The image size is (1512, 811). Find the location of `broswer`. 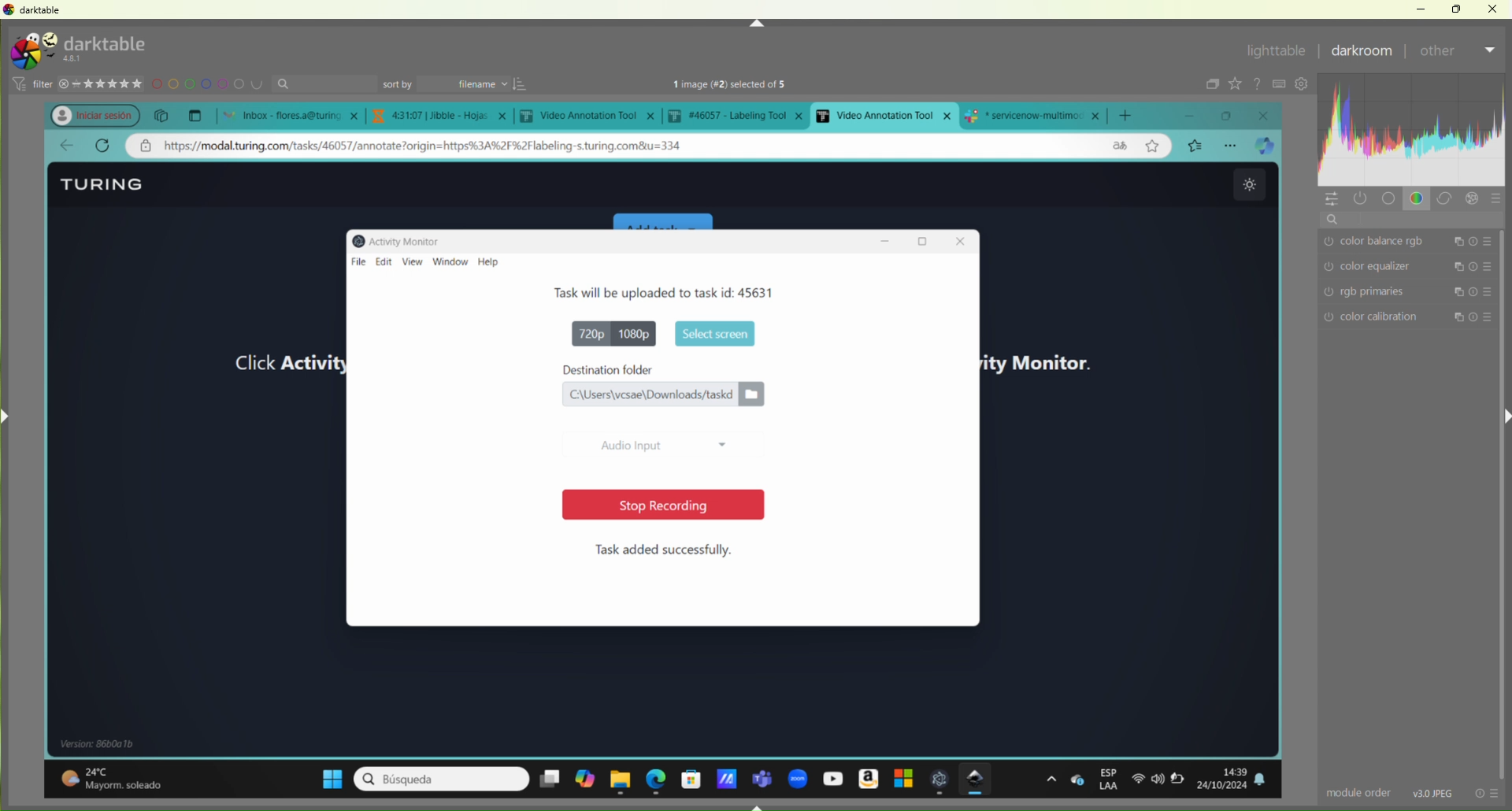

broswer is located at coordinates (1268, 146).